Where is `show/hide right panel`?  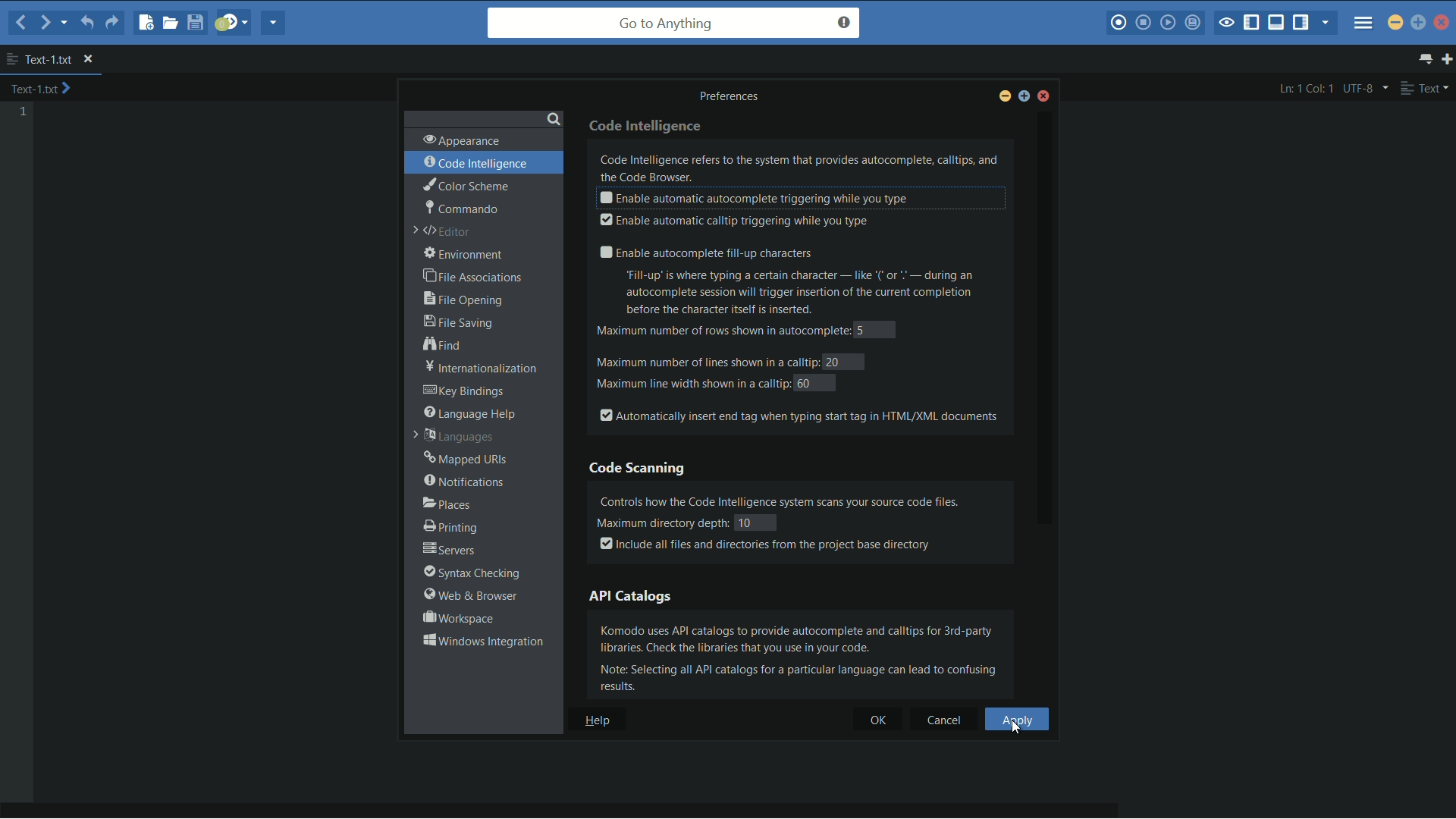 show/hide right panel is located at coordinates (1301, 23).